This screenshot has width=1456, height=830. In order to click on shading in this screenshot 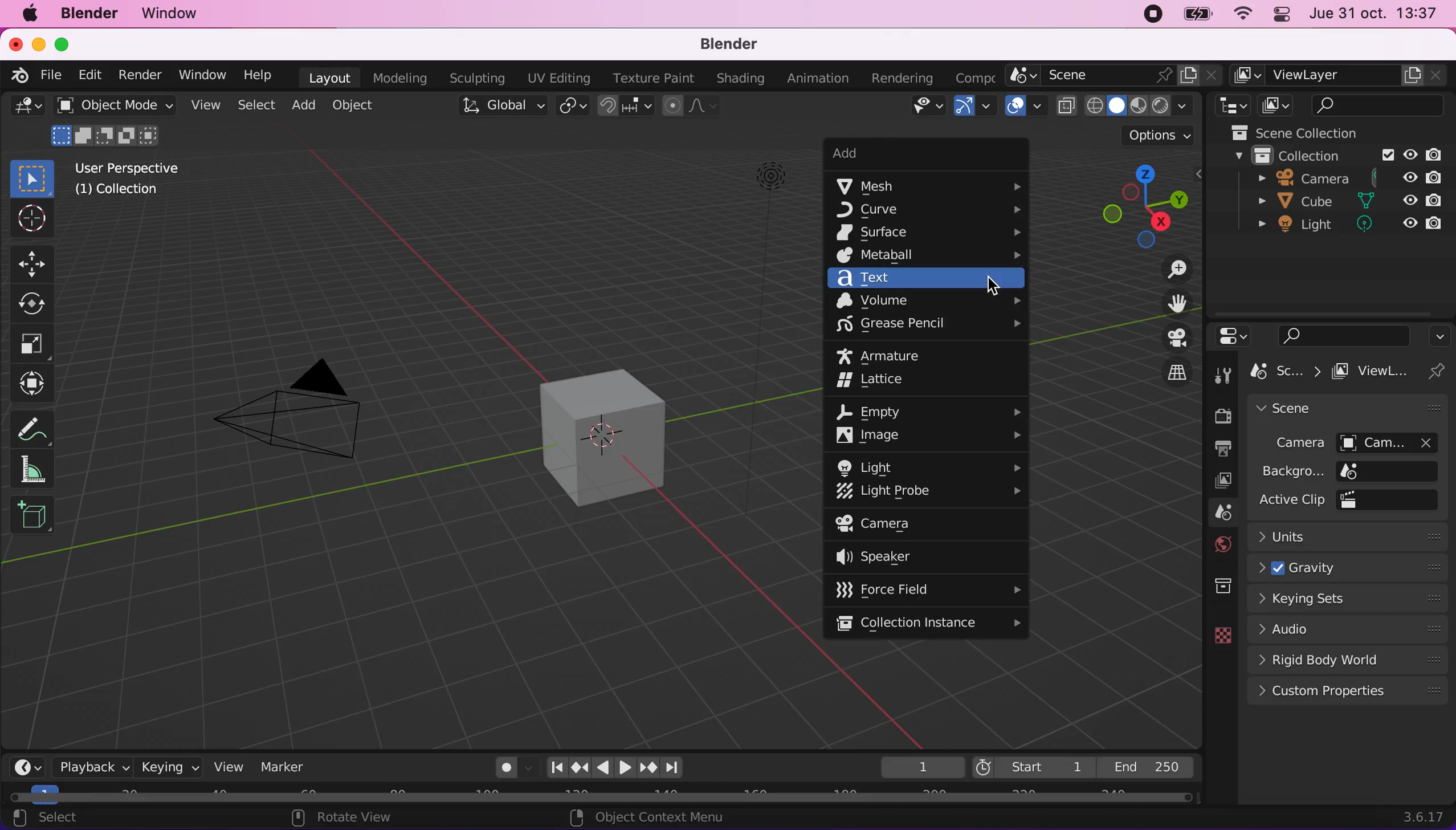, I will do `click(1139, 105)`.